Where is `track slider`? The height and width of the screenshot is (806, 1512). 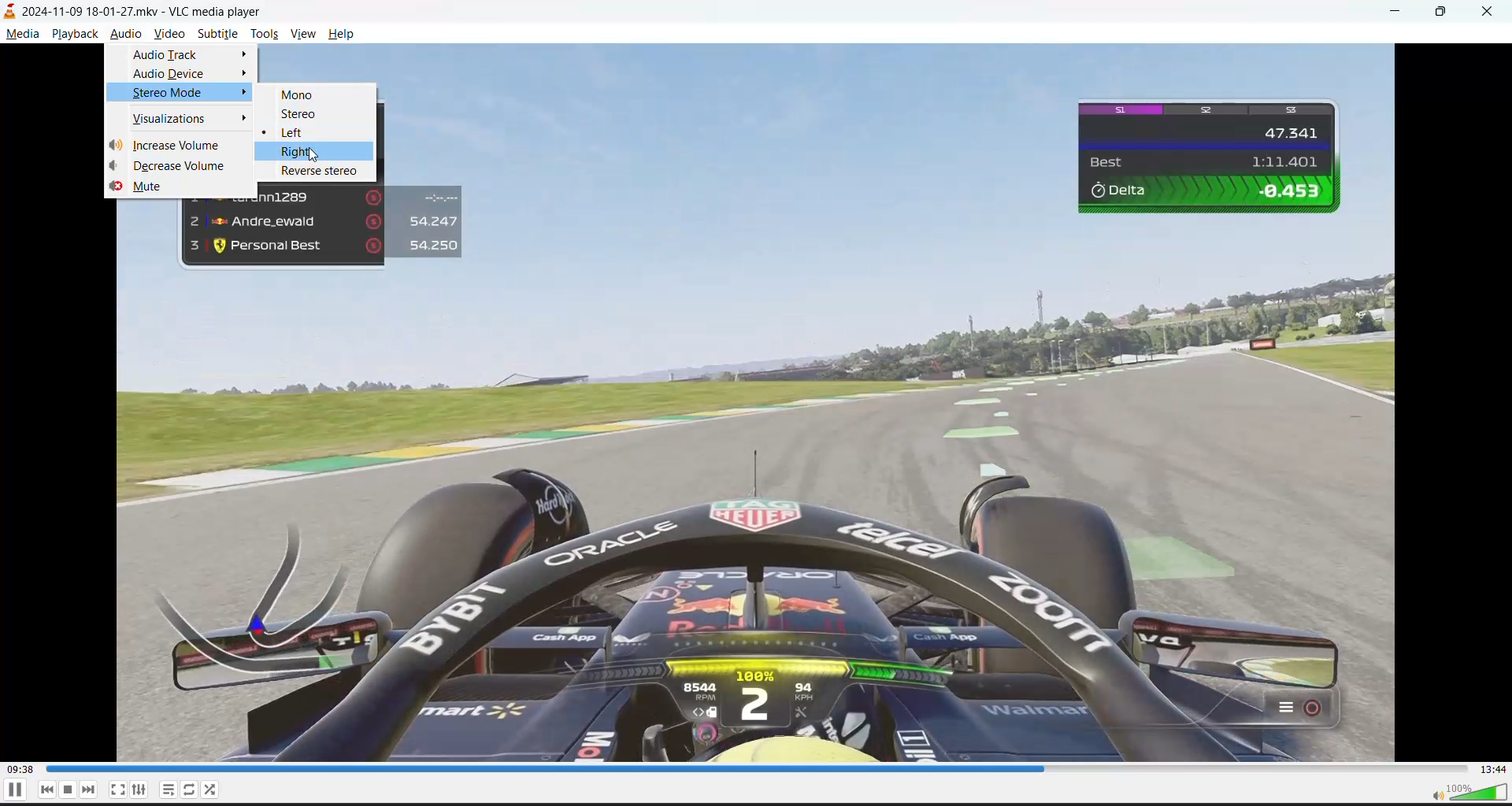
track slider is located at coordinates (756, 768).